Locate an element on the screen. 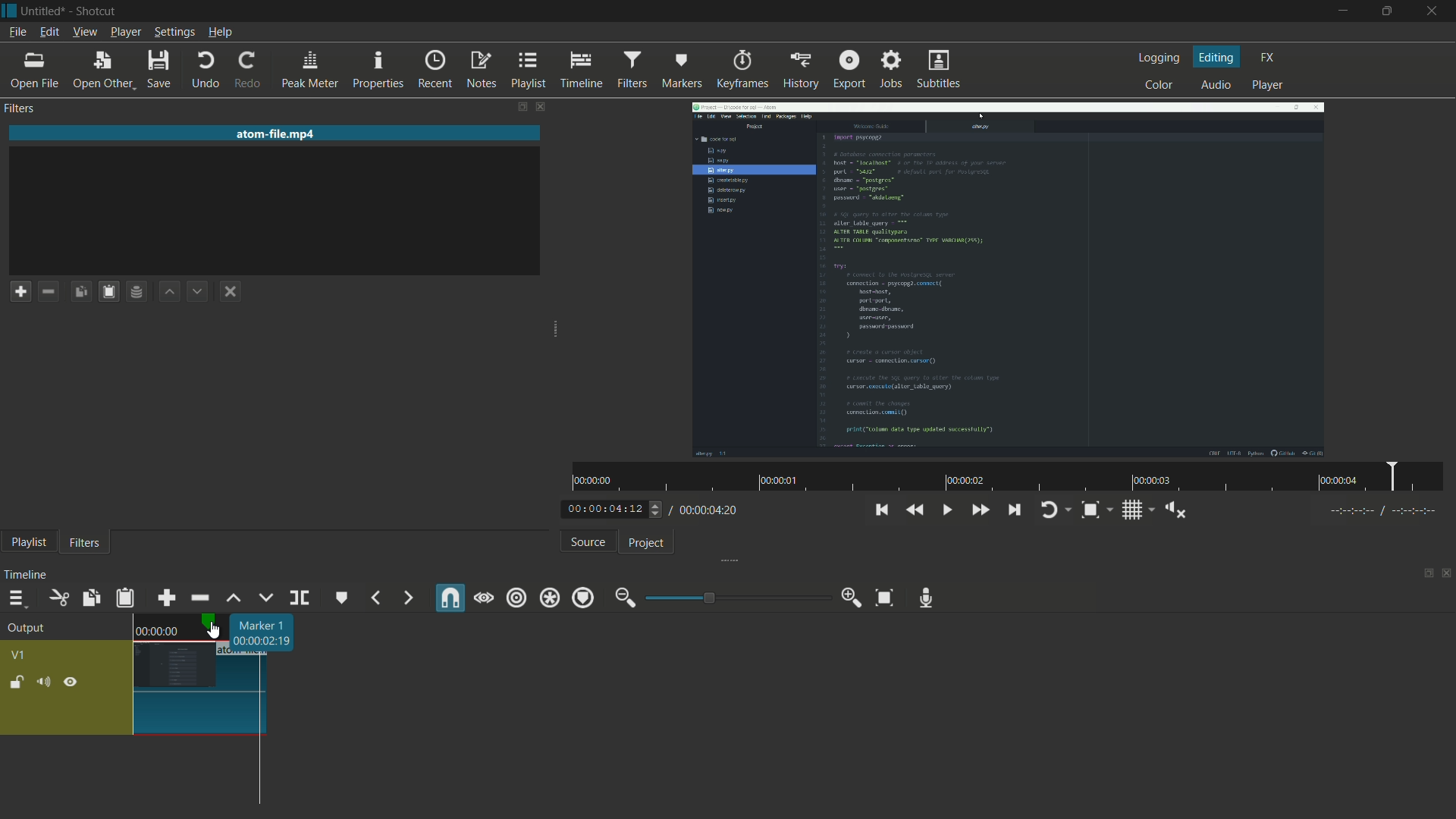  append is located at coordinates (167, 600).